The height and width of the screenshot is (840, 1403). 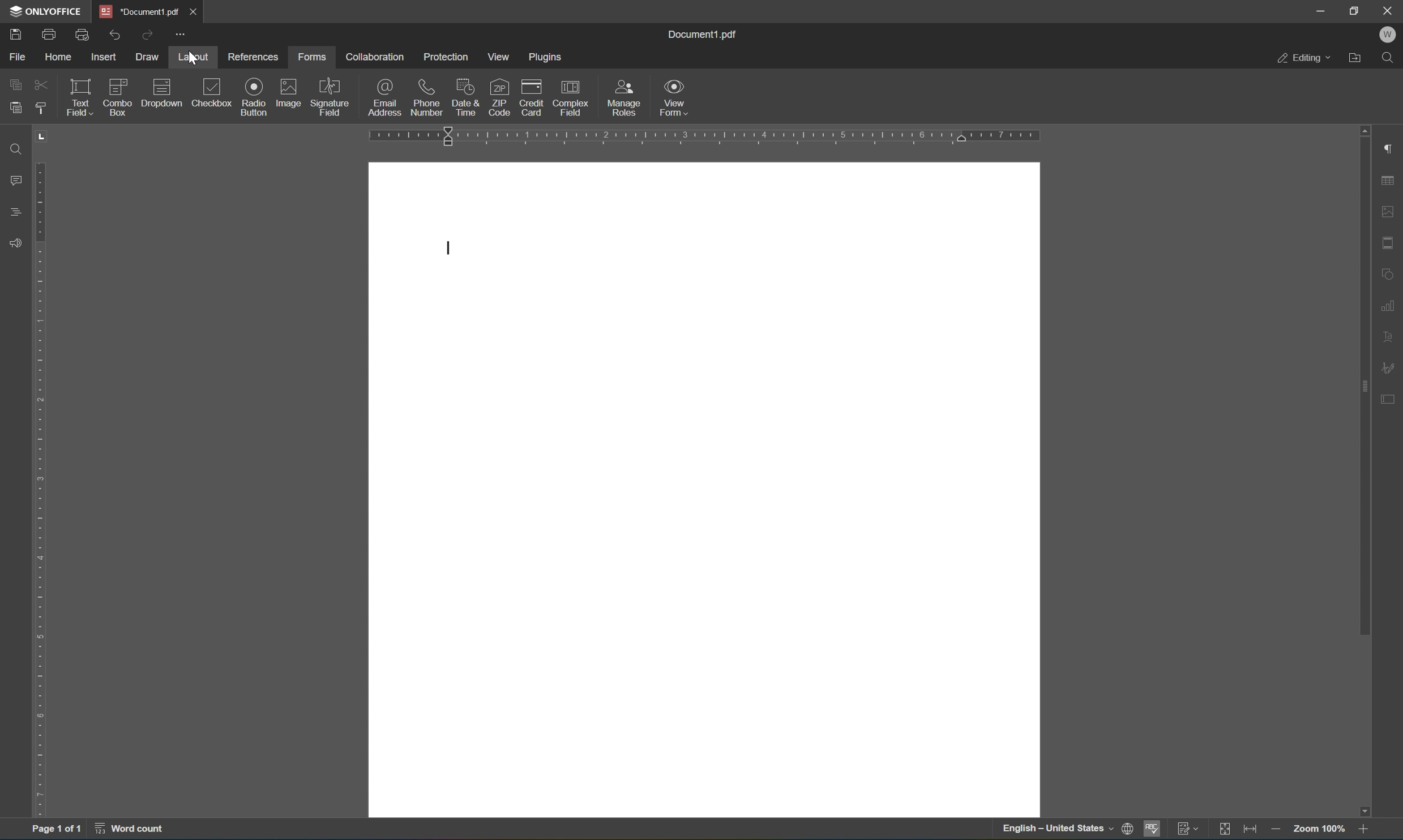 What do you see at coordinates (150, 57) in the screenshot?
I see `draw` at bounding box center [150, 57].